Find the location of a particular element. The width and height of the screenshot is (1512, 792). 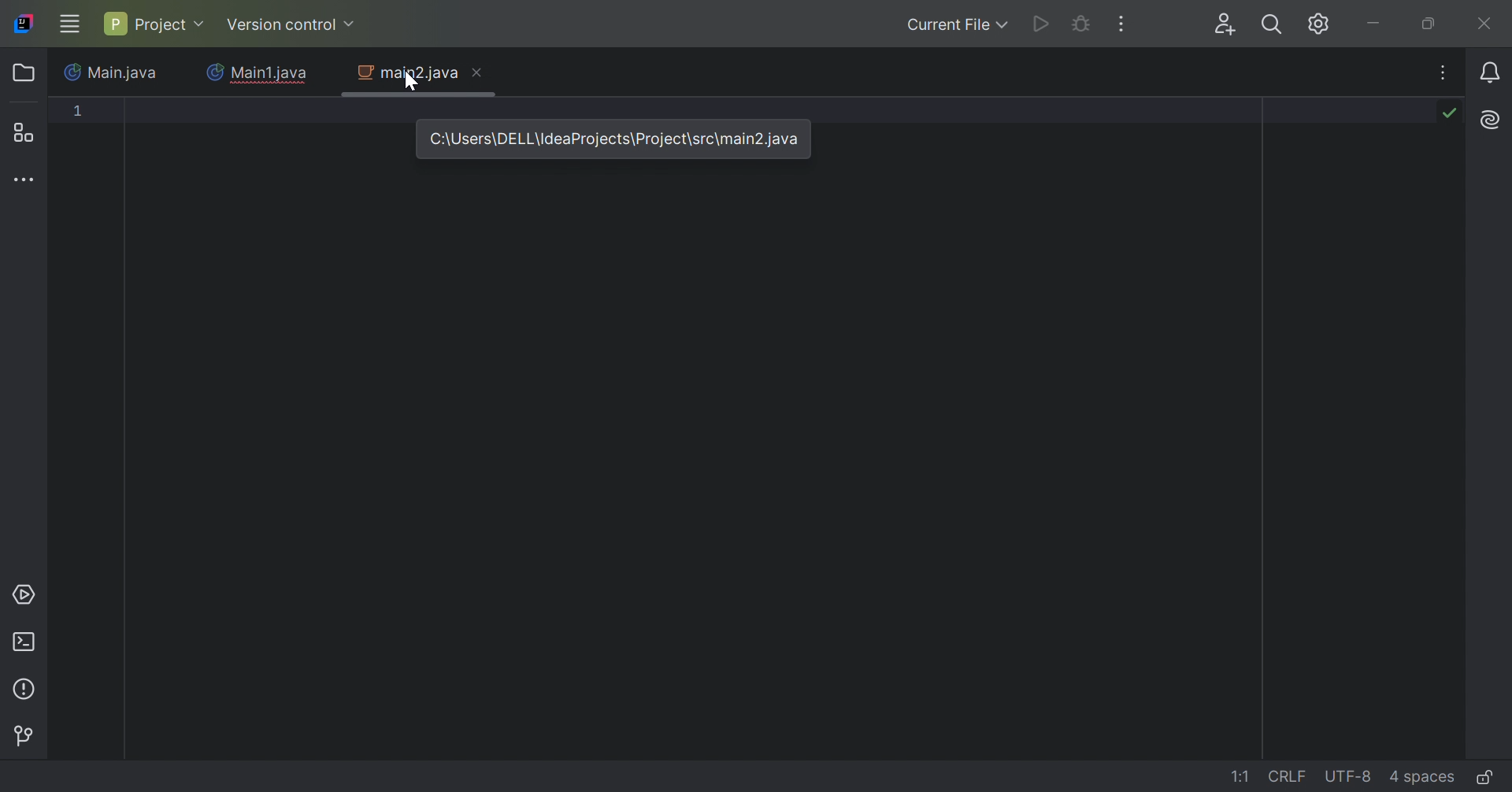

Recent Files Tab Actions, and More is located at coordinates (1445, 73).